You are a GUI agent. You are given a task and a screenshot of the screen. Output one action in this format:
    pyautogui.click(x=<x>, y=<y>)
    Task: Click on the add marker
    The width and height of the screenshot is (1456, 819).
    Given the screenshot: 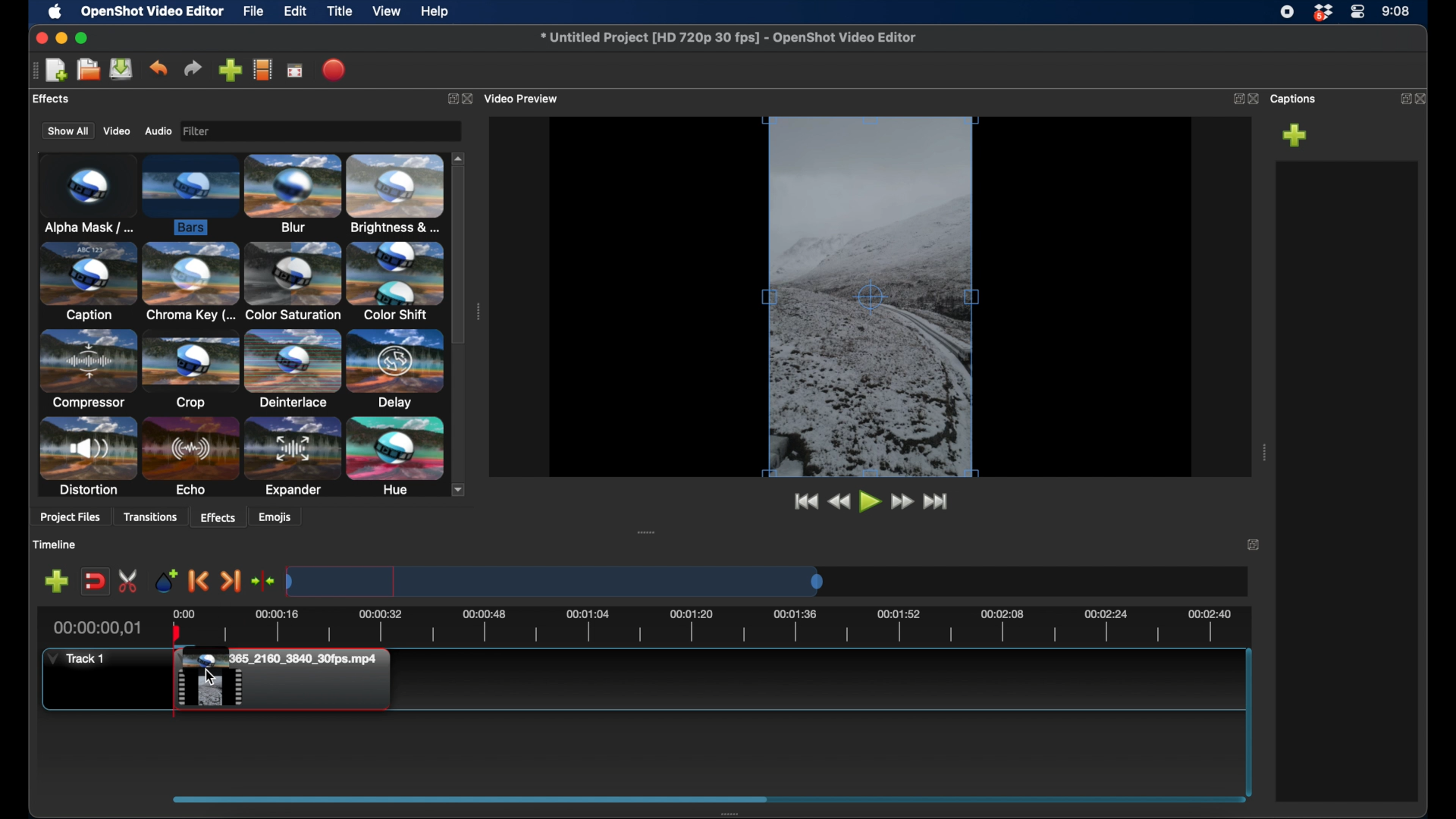 What is the action you would take?
    pyautogui.click(x=56, y=582)
    